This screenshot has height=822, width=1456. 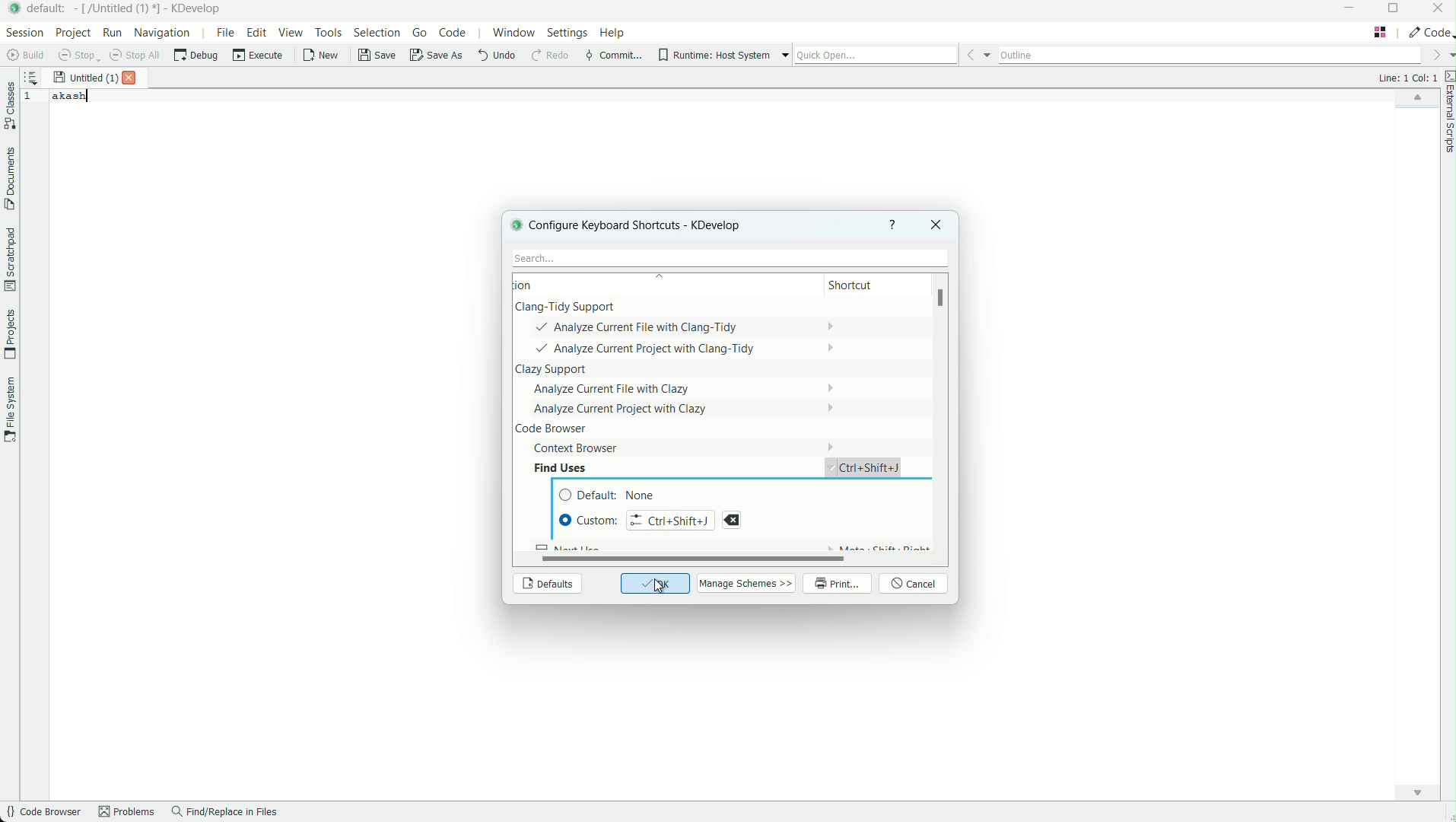 I want to click on code browser, so click(x=42, y=813).